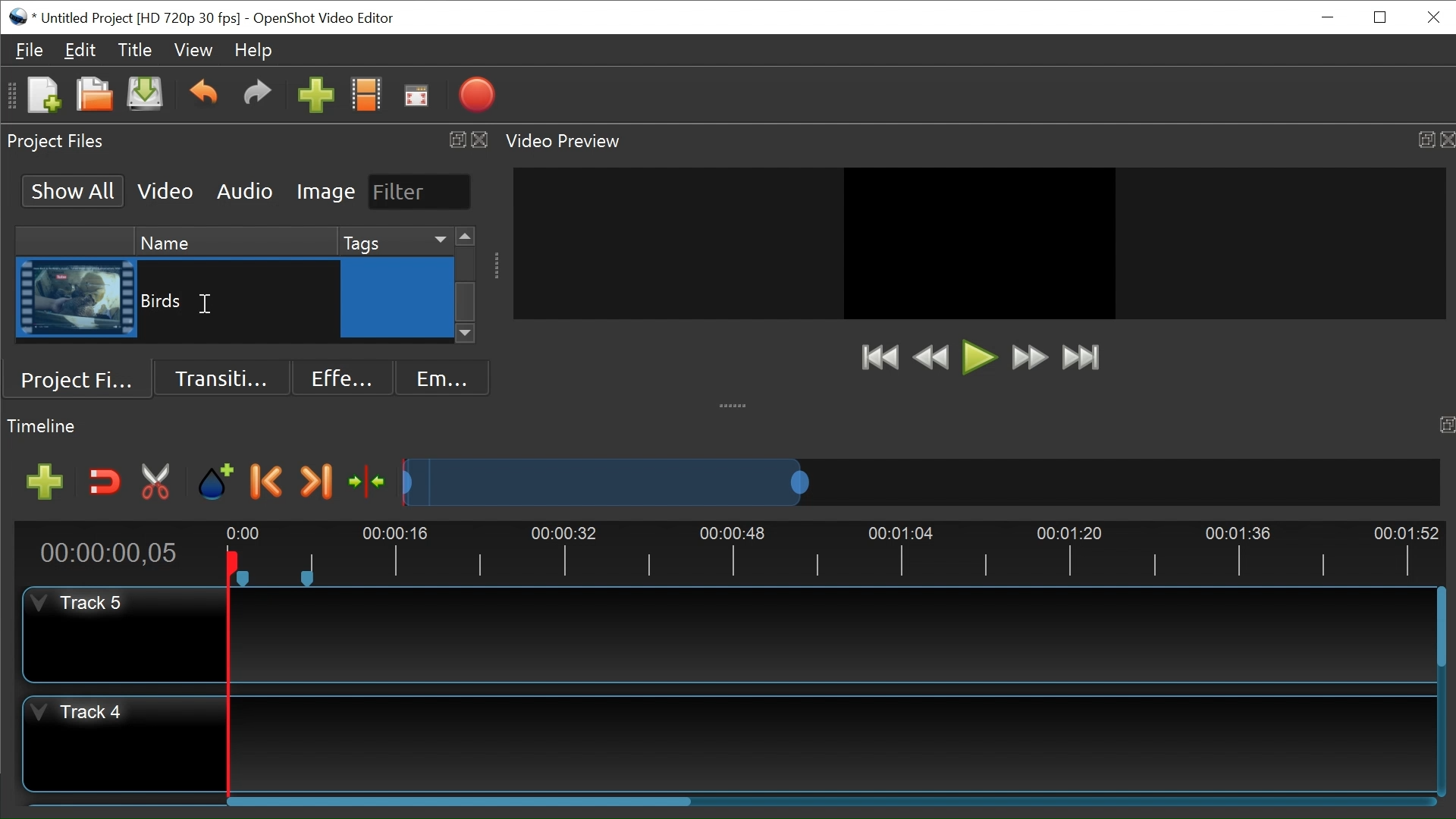 Image resolution: width=1456 pixels, height=819 pixels. What do you see at coordinates (146, 96) in the screenshot?
I see `Save Project` at bounding box center [146, 96].